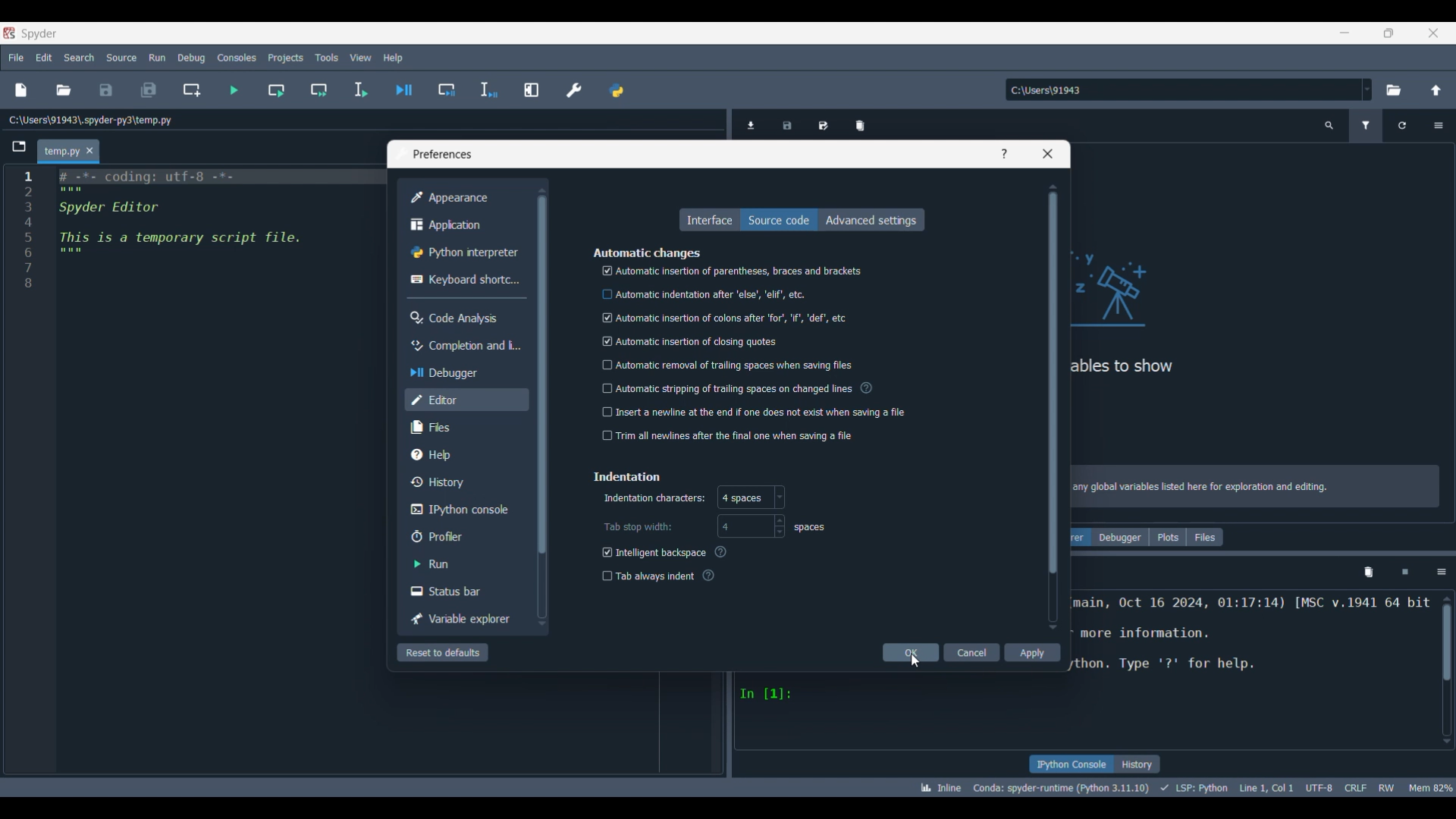 The width and height of the screenshot is (1456, 819). Describe the element at coordinates (201, 238) in the screenshot. I see `Current code` at that location.